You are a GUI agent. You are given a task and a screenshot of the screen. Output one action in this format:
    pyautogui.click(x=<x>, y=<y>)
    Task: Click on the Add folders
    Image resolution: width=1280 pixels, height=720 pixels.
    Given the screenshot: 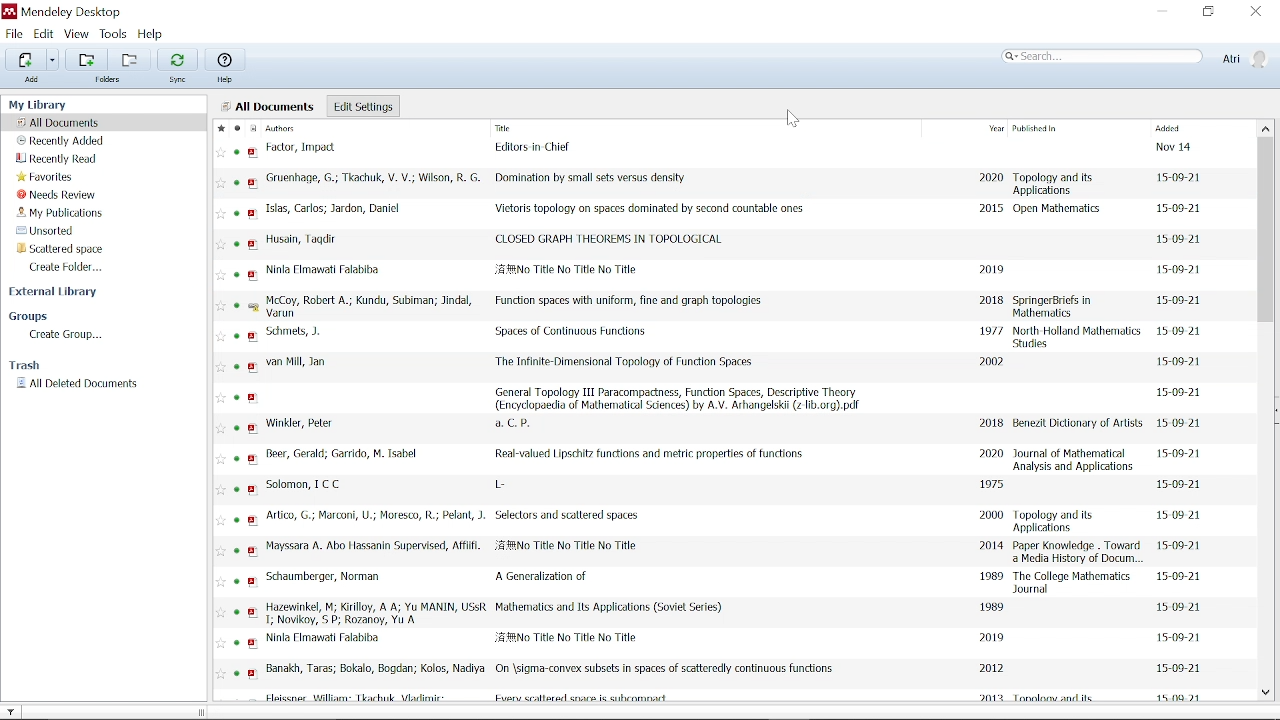 What is the action you would take?
    pyautogui.click(x=126, y=60)
    